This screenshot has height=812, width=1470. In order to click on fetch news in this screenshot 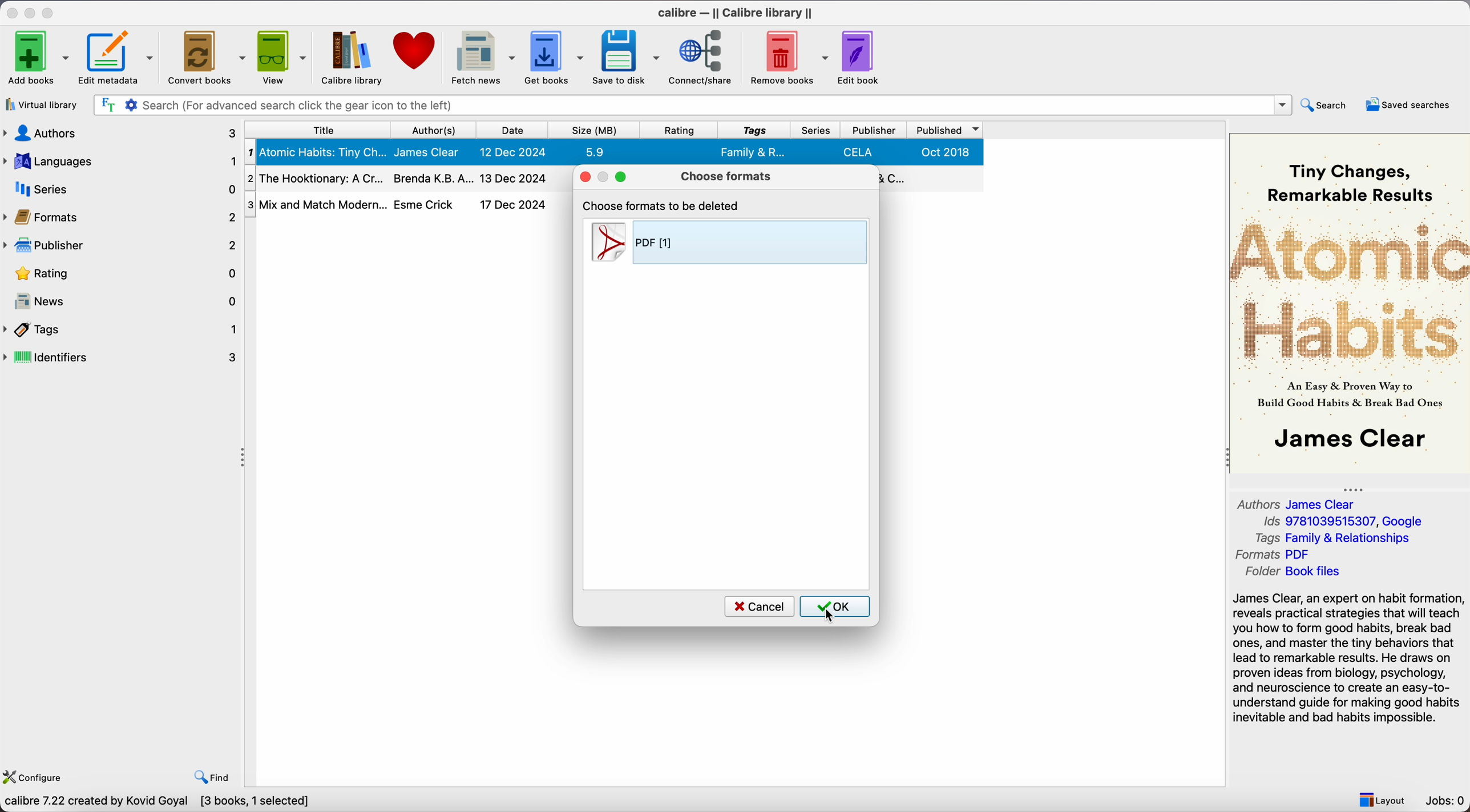, I will do `click(480, 56)`.